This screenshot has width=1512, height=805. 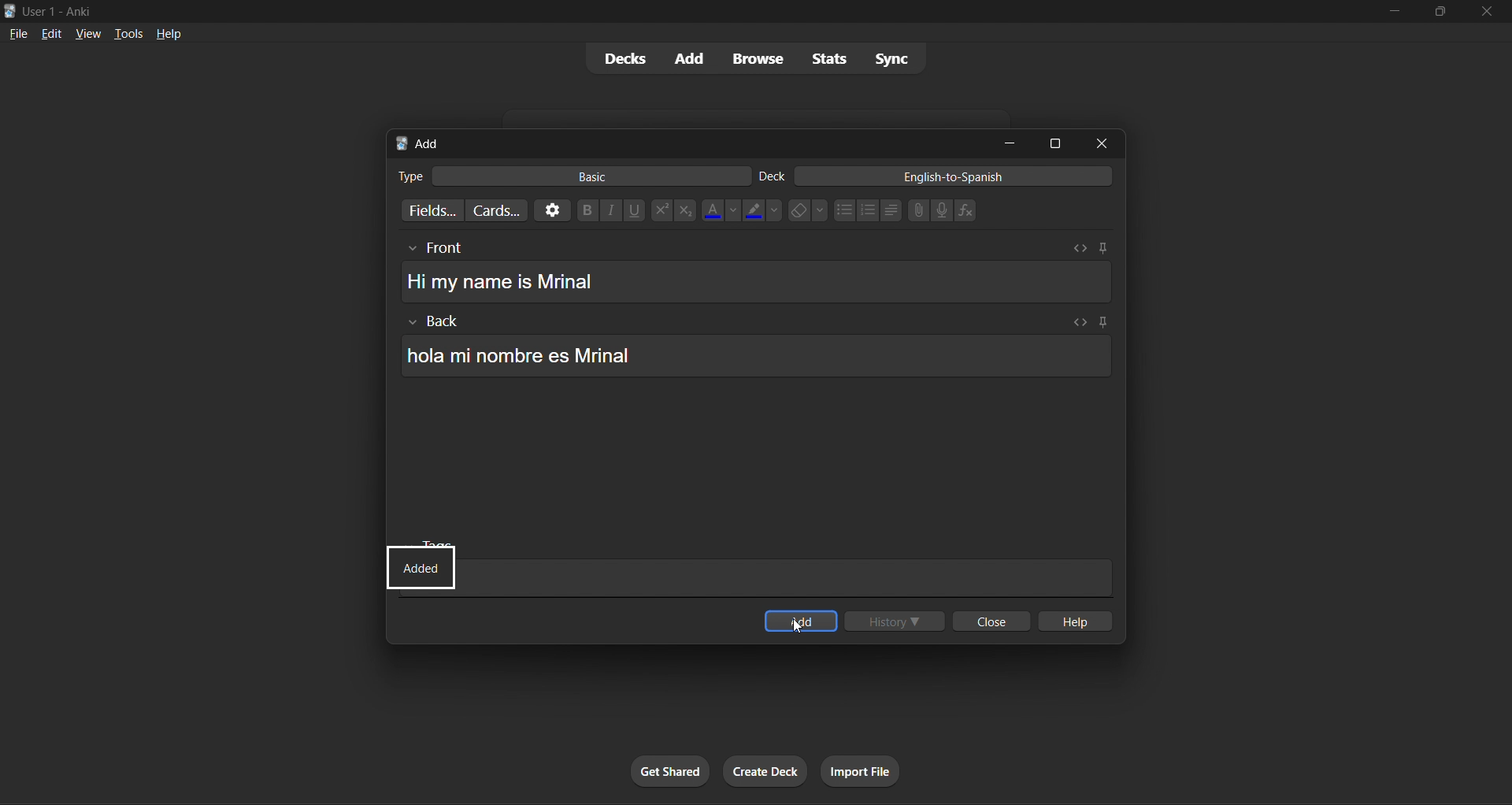 What do you see at coordinates (988, 623) in the screenshot?
I see `close` at bounding box center [988, 623].